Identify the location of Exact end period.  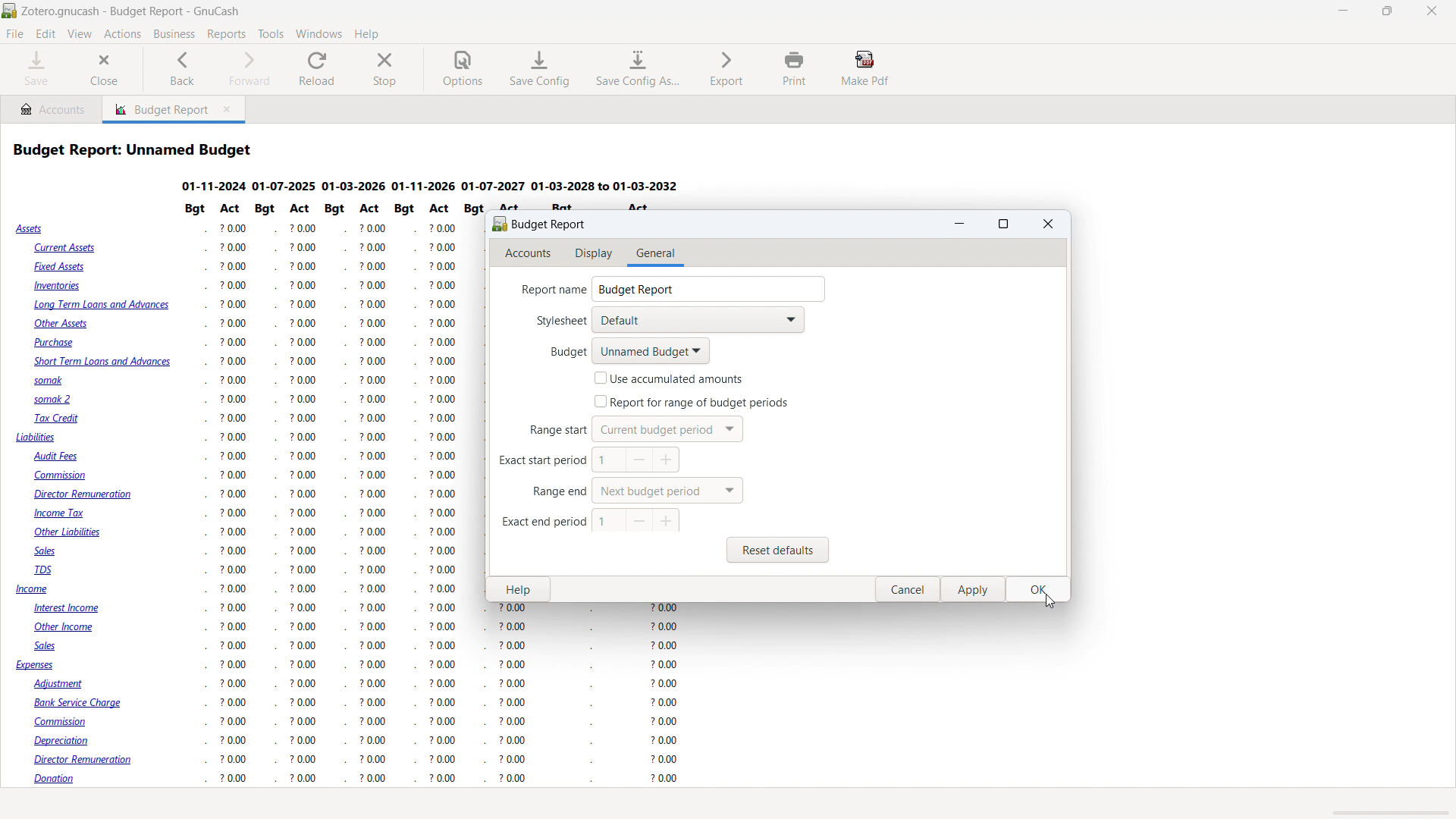
(540, 522).